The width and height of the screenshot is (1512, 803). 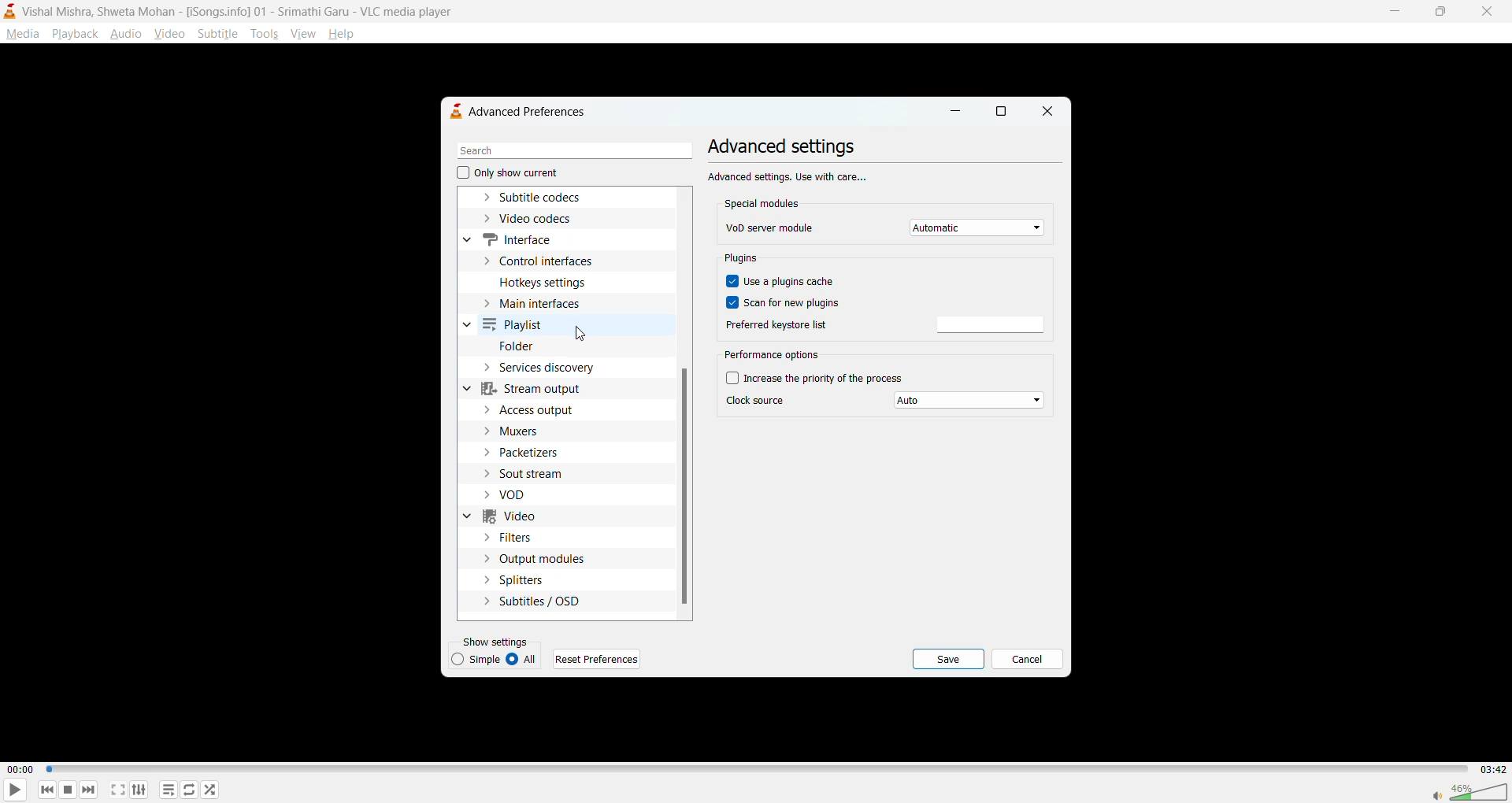 What do you see at coordinates (534, 220) in the screenshot?
I see `video codecs` at bounding box center [534, 220].